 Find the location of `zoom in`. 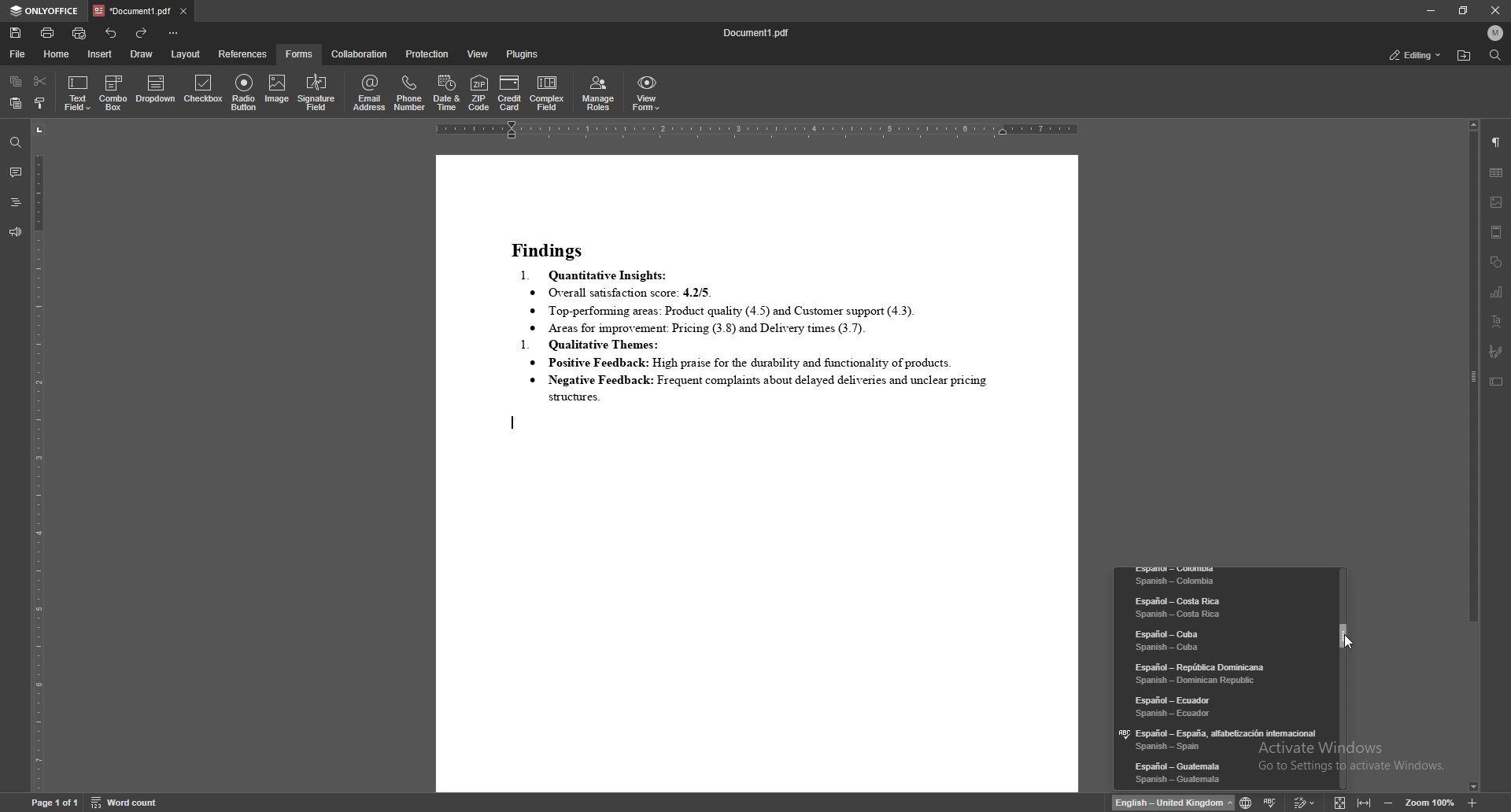

zoom in is located at coordinates (1472, 803).